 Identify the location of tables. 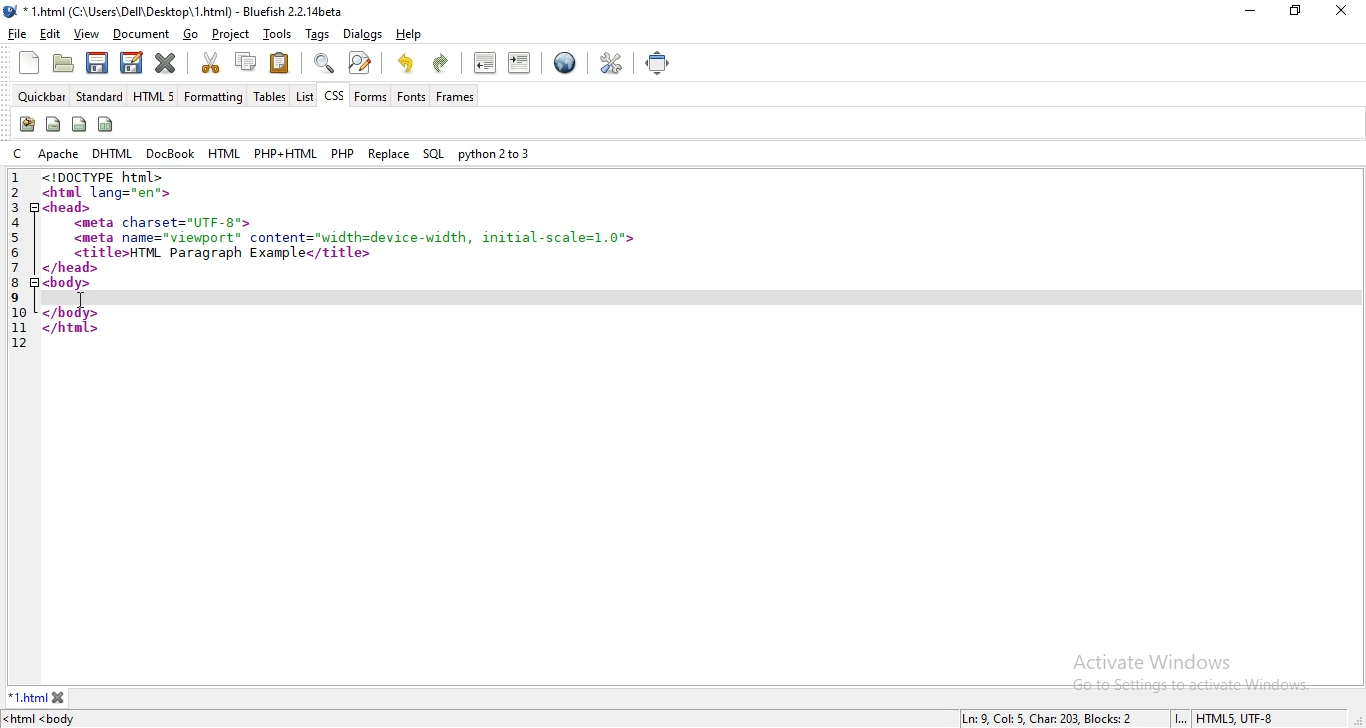
(270, 95).